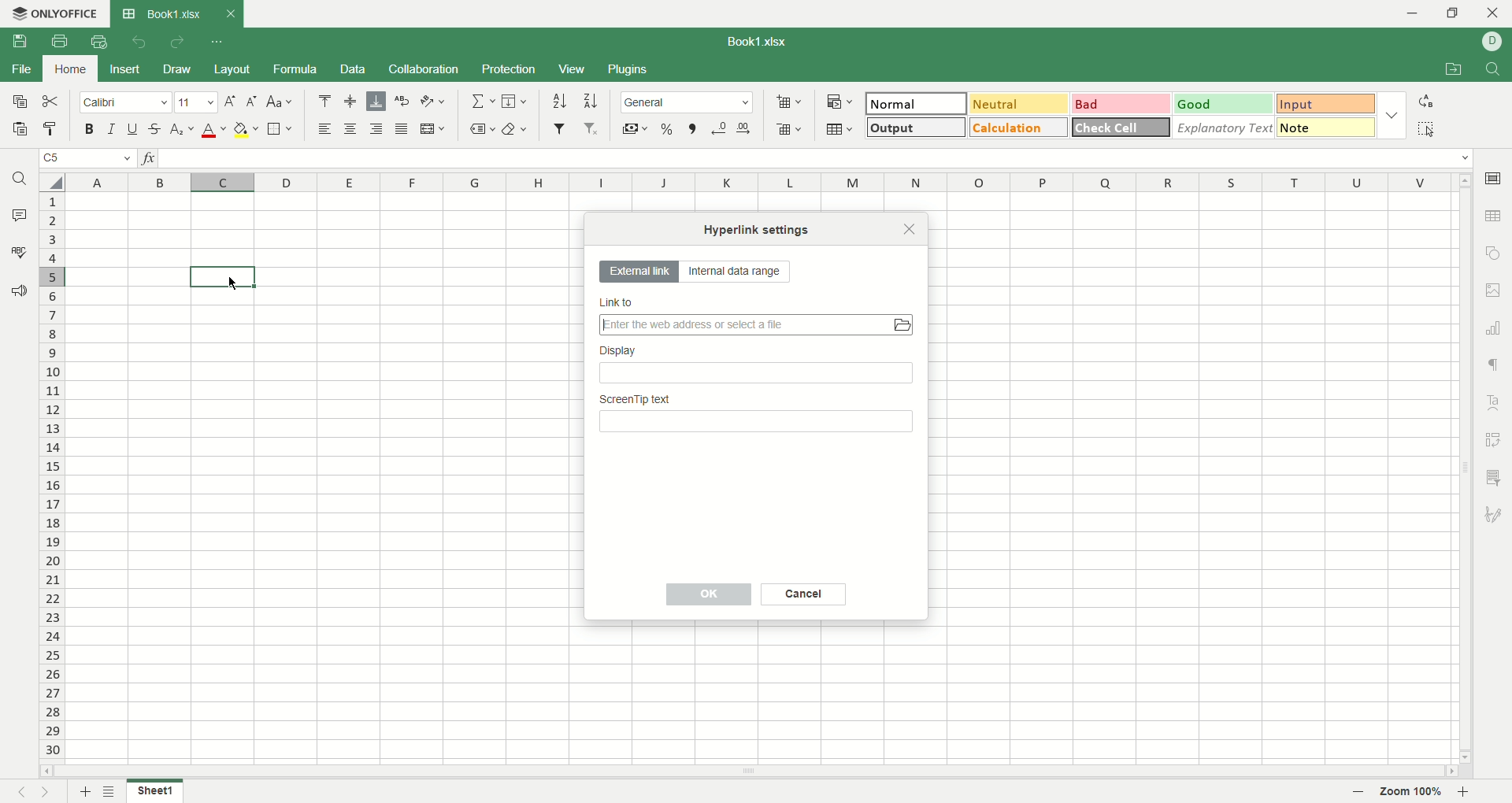 Image resolution: width=1512 pixels, height=803 pixels. Describe the element at coordinates (692, 128) in the screenshot. I see `comma style` at that location.